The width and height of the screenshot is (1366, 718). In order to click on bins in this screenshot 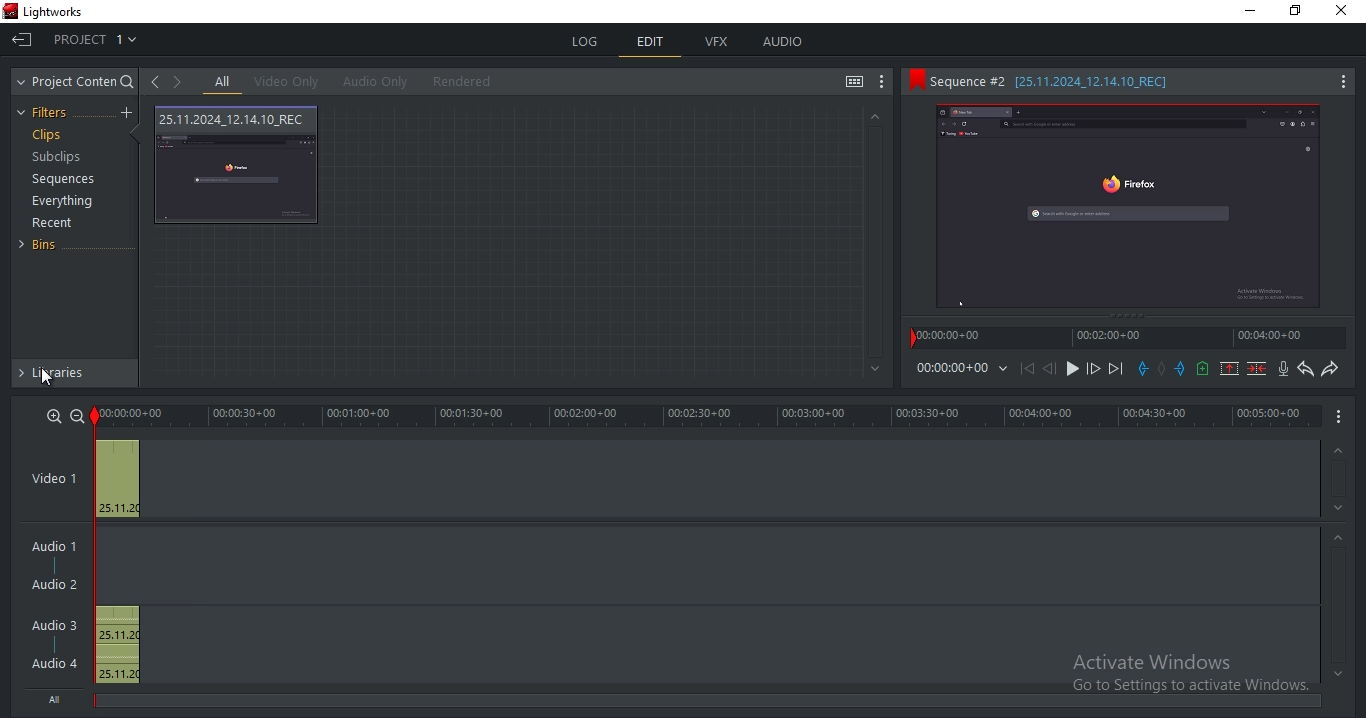, I will do `click(46, 245)`.